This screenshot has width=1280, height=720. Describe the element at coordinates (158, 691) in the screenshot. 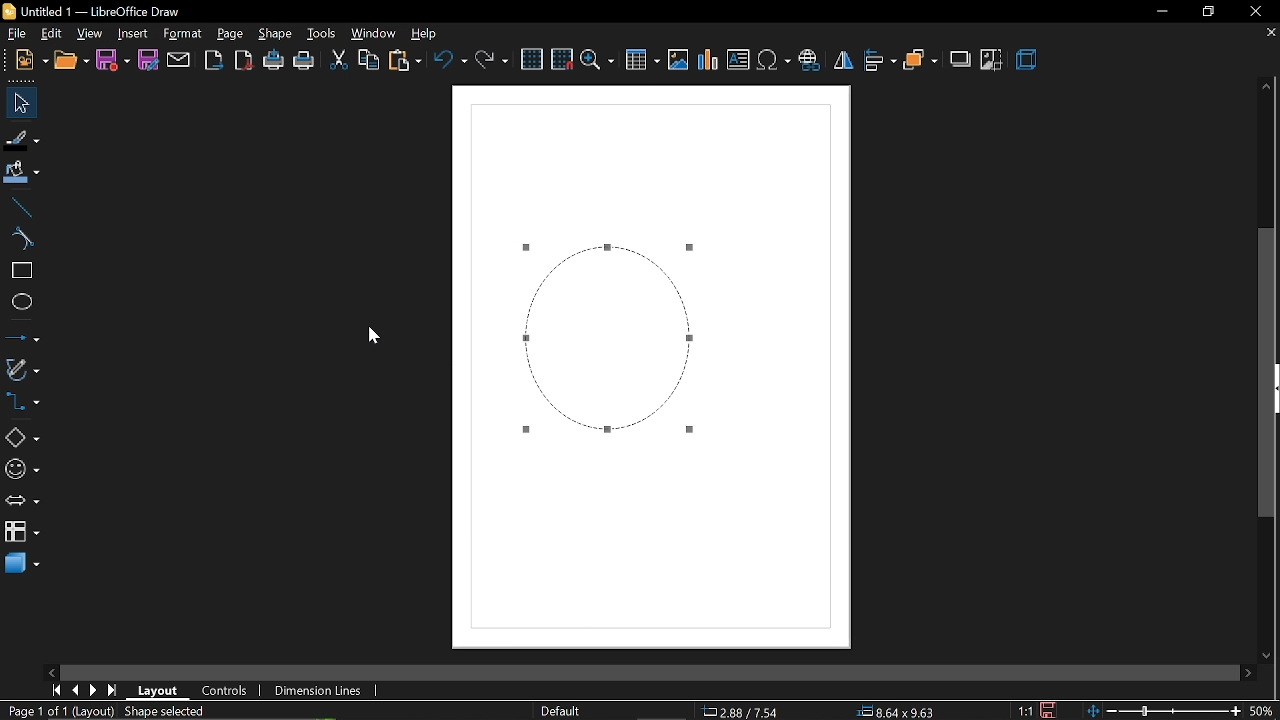

I see `layout` at that location.